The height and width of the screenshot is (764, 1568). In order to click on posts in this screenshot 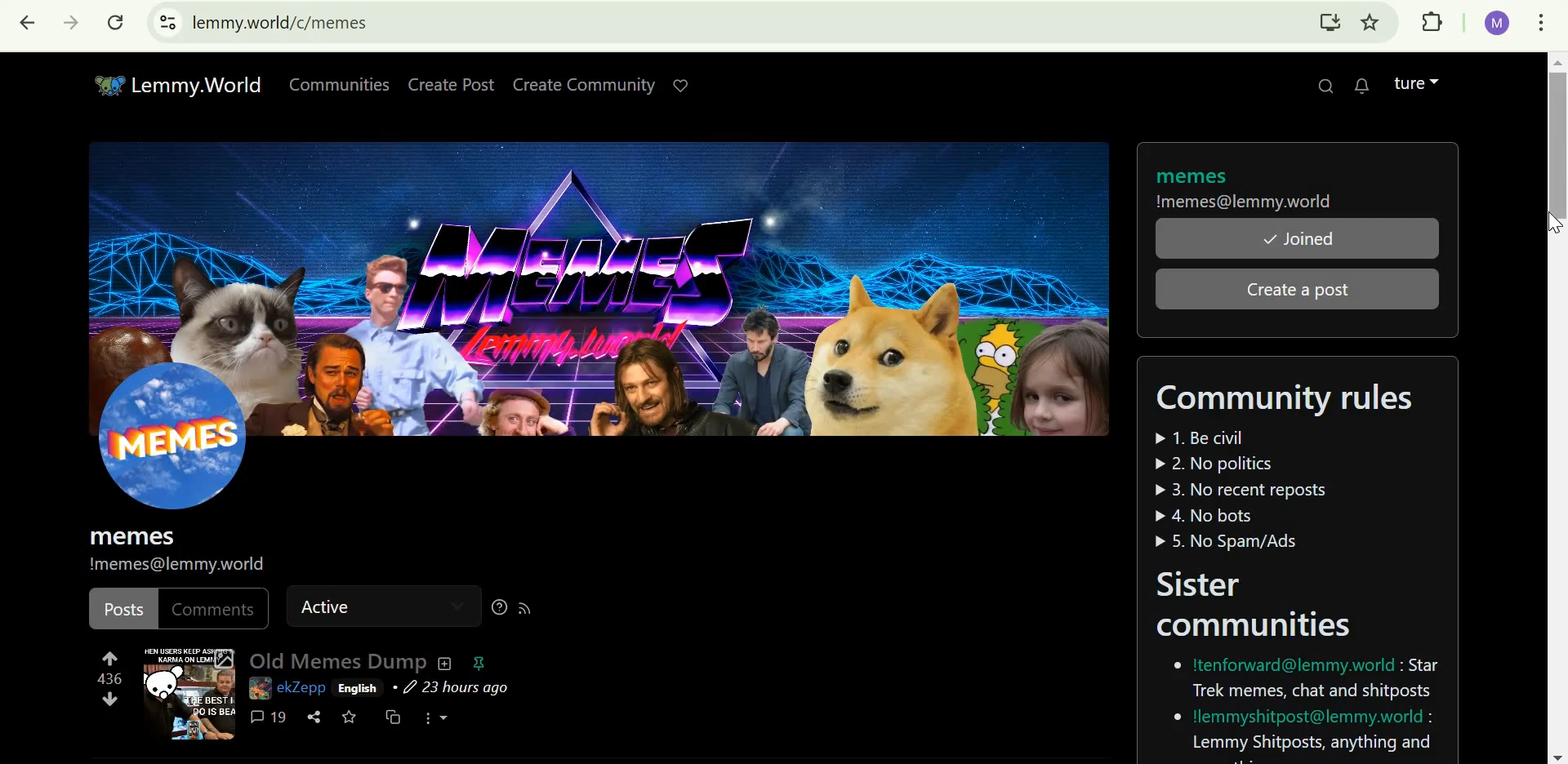, I will do `click(125, 609)`.